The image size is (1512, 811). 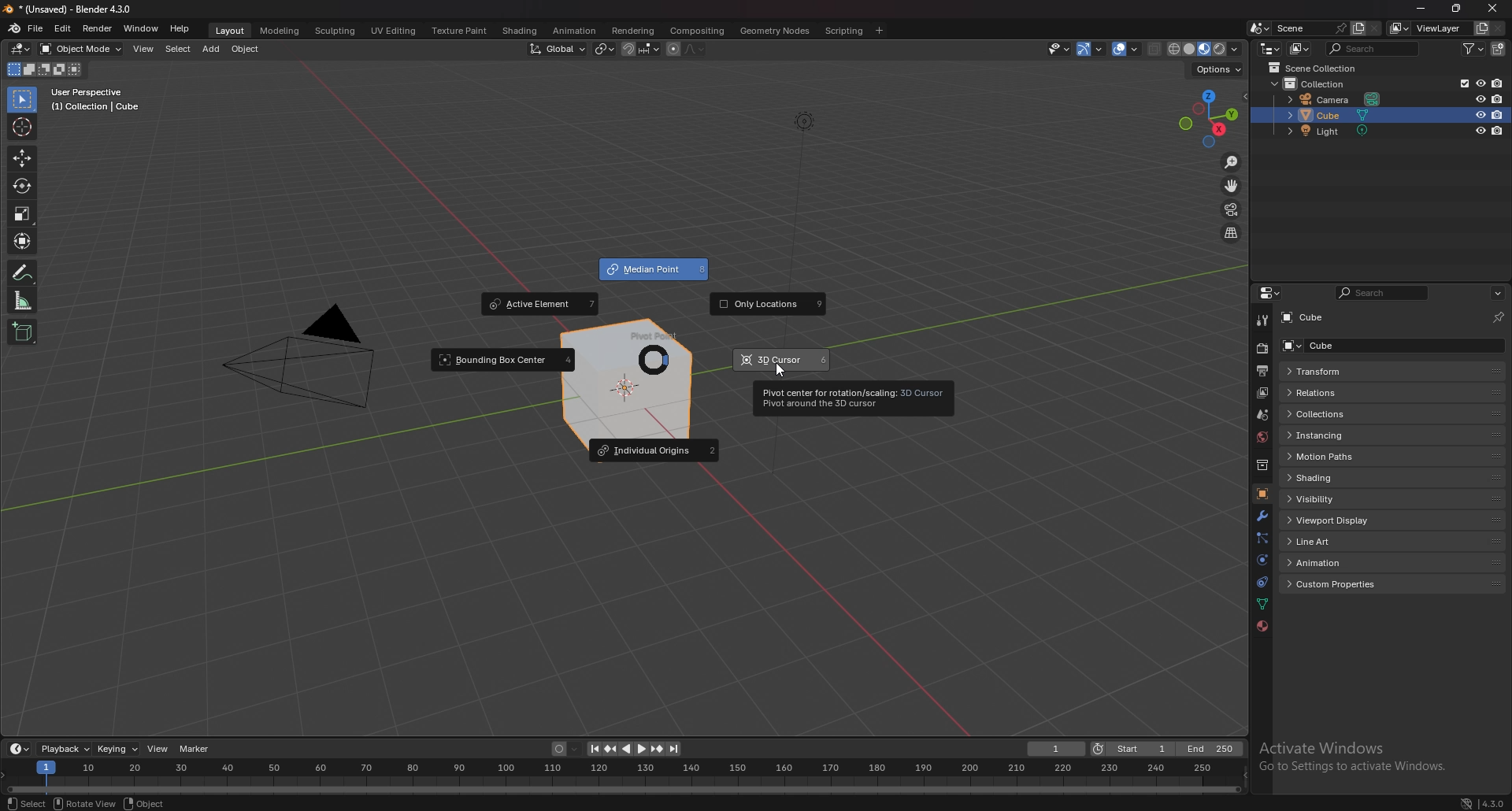 What do you see at coordinates (1155, 50) in the screenshot?
I see `toggle xrays` at bounding box center [1155, 50].